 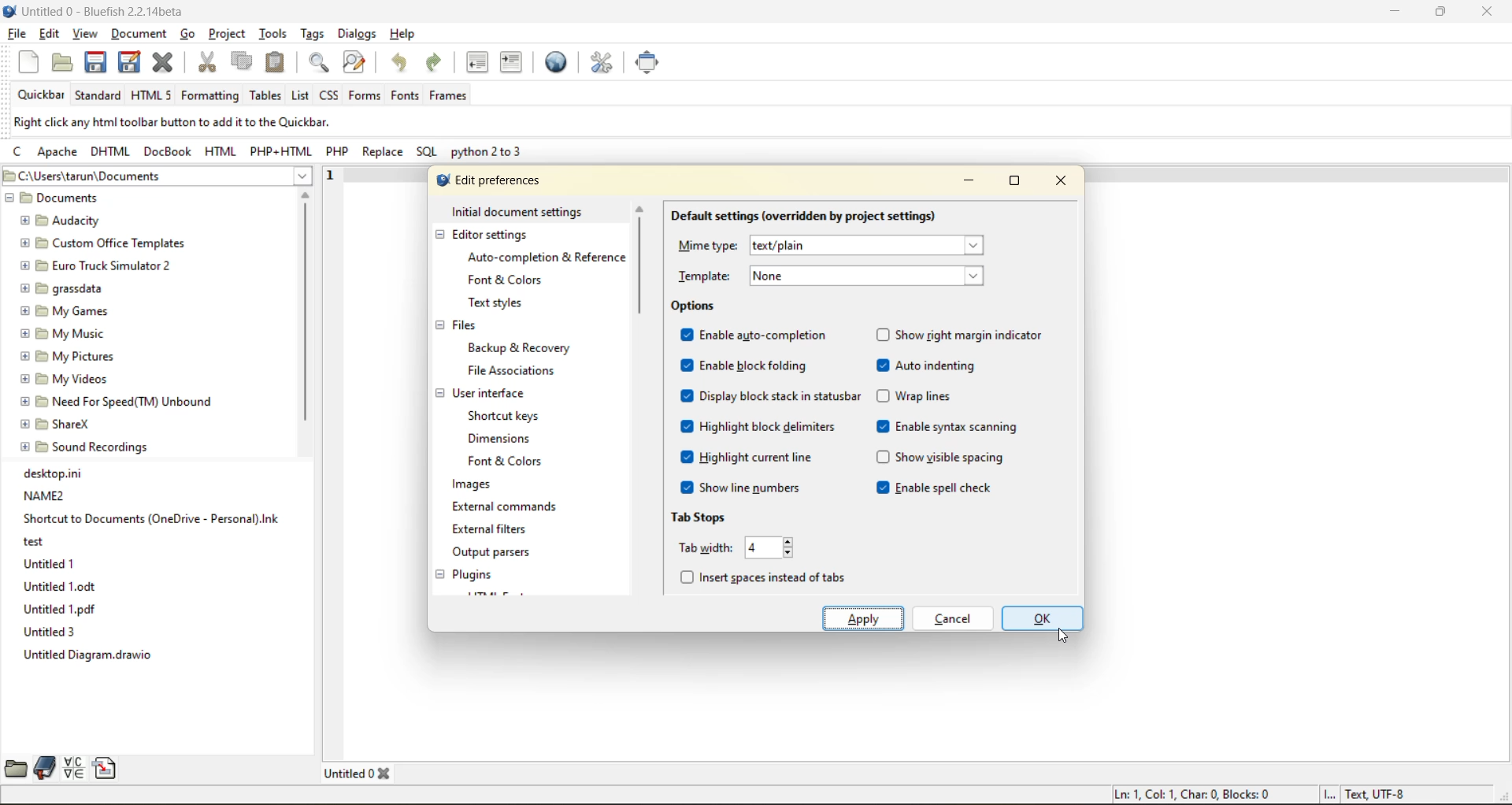 I want to click on list, so click(x=301, y=96).